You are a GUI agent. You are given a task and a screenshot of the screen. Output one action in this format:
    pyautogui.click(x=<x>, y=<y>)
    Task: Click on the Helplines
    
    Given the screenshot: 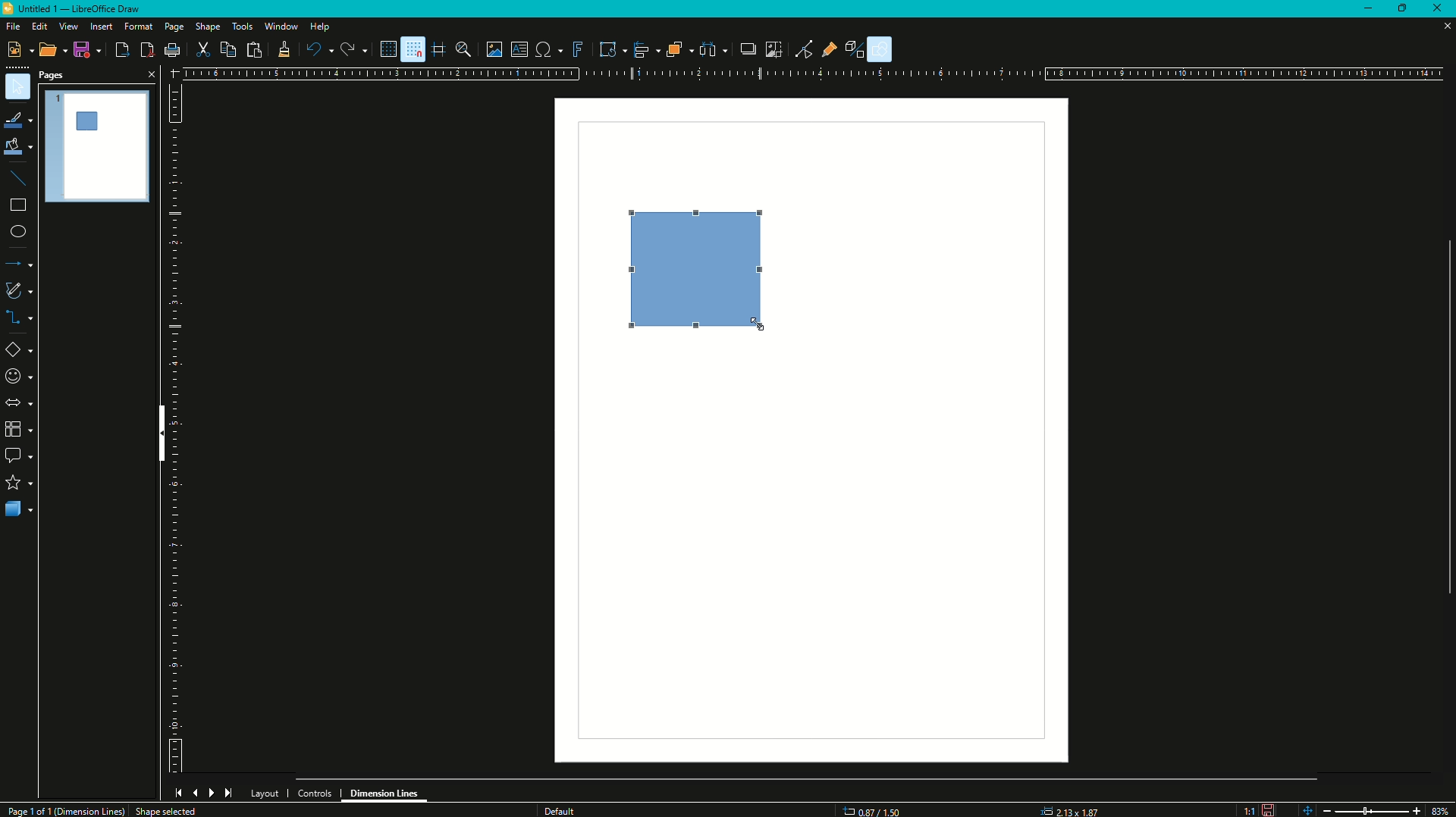 What is the action you would take?
    pyautogui.click(x=438, y=49)
    